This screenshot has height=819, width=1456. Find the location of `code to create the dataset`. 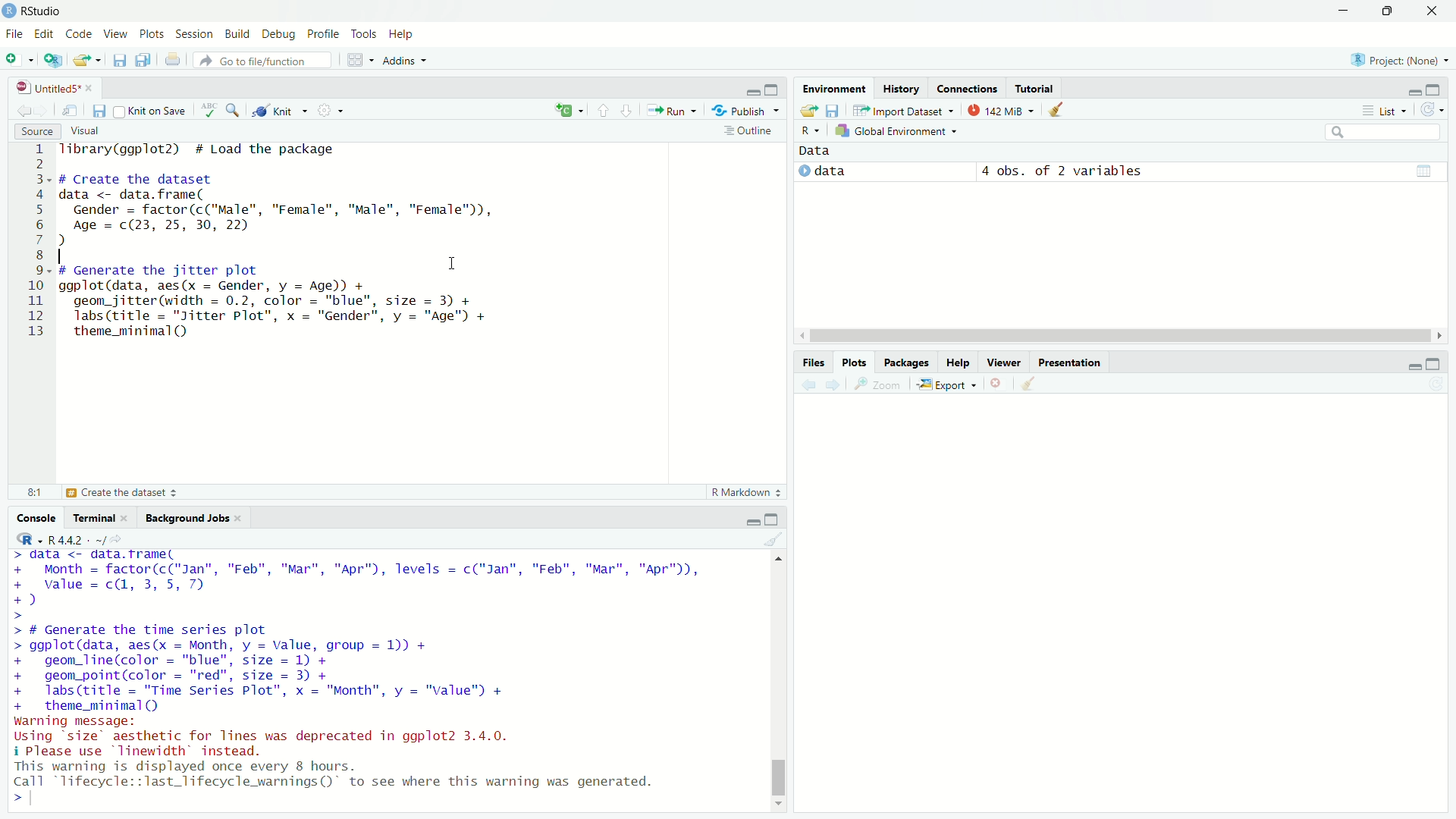

code to create the dataset is located at coordinates (294, 211).